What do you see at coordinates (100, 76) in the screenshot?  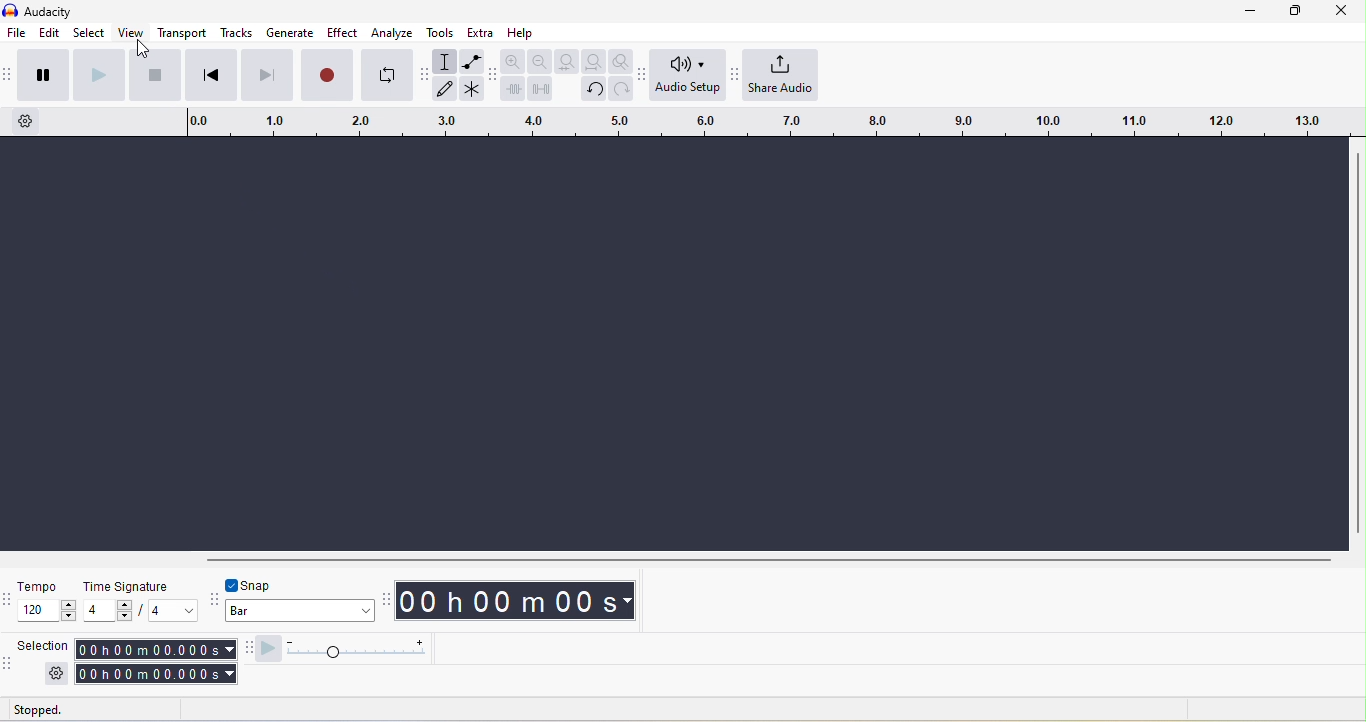 I see `play` at bounding box center [100, 76].